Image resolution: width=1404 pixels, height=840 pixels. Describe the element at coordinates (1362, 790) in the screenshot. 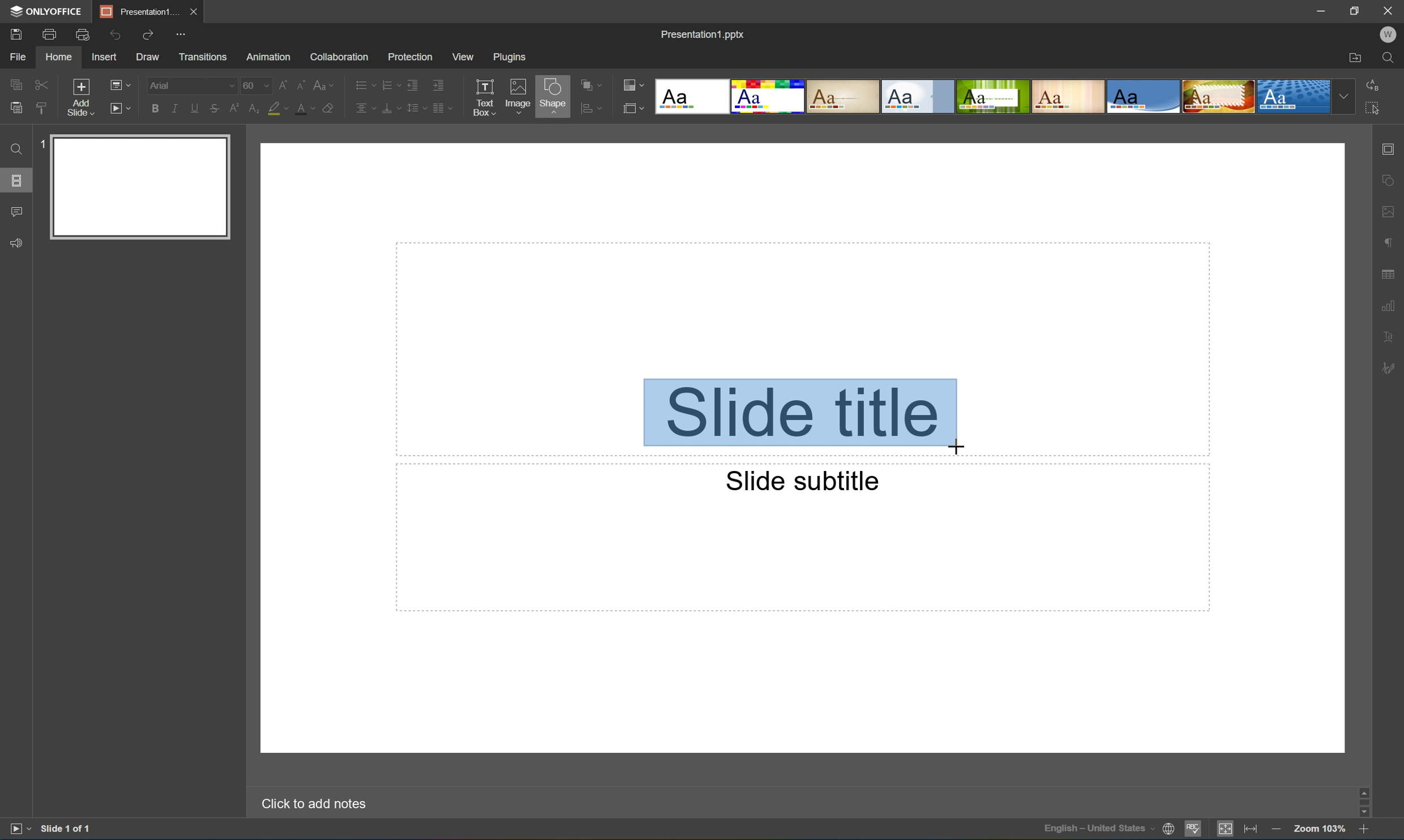

I see `scroll up` at that location.